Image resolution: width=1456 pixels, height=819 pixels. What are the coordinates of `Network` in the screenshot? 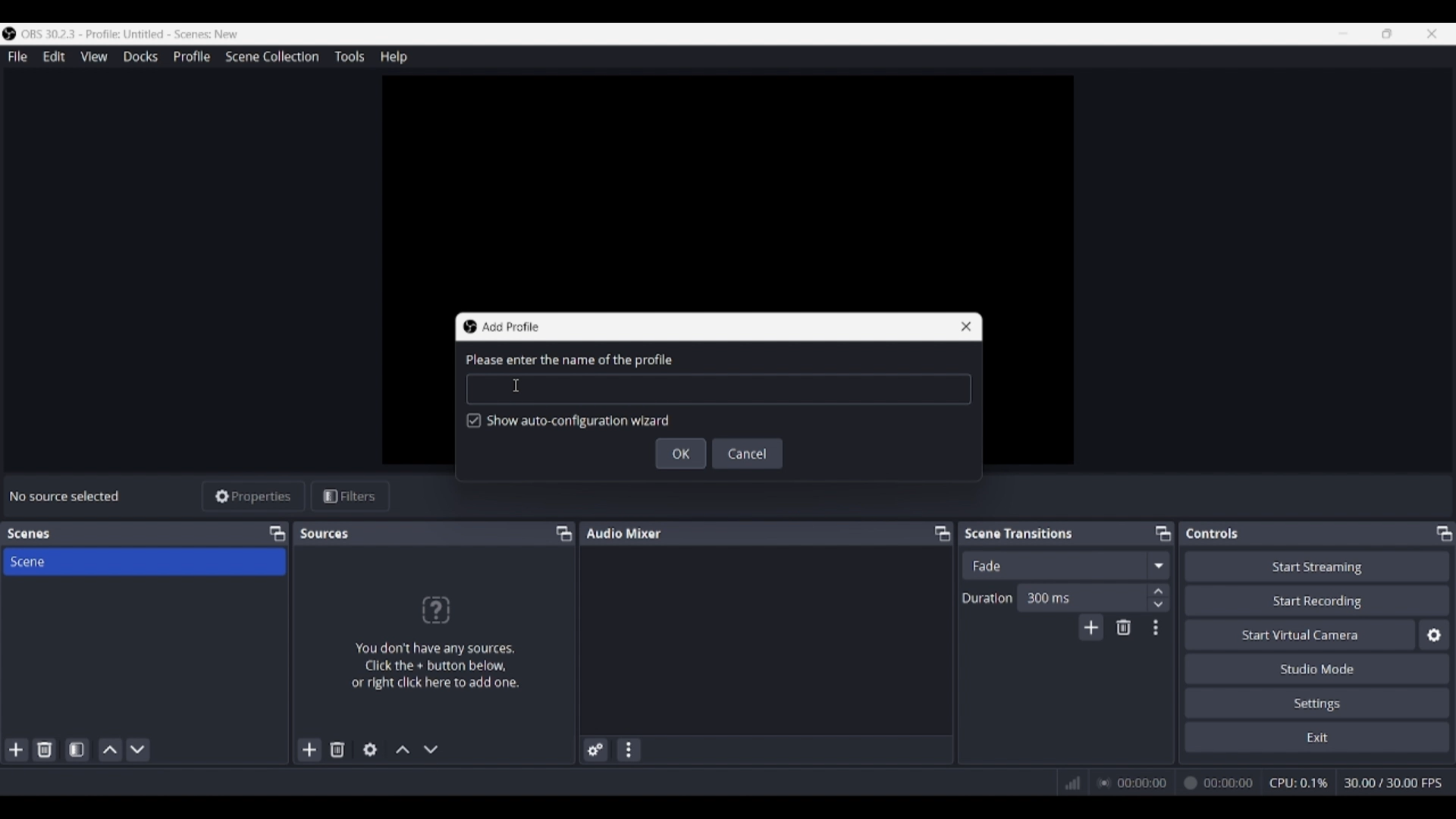 It's located at (1067, 781).